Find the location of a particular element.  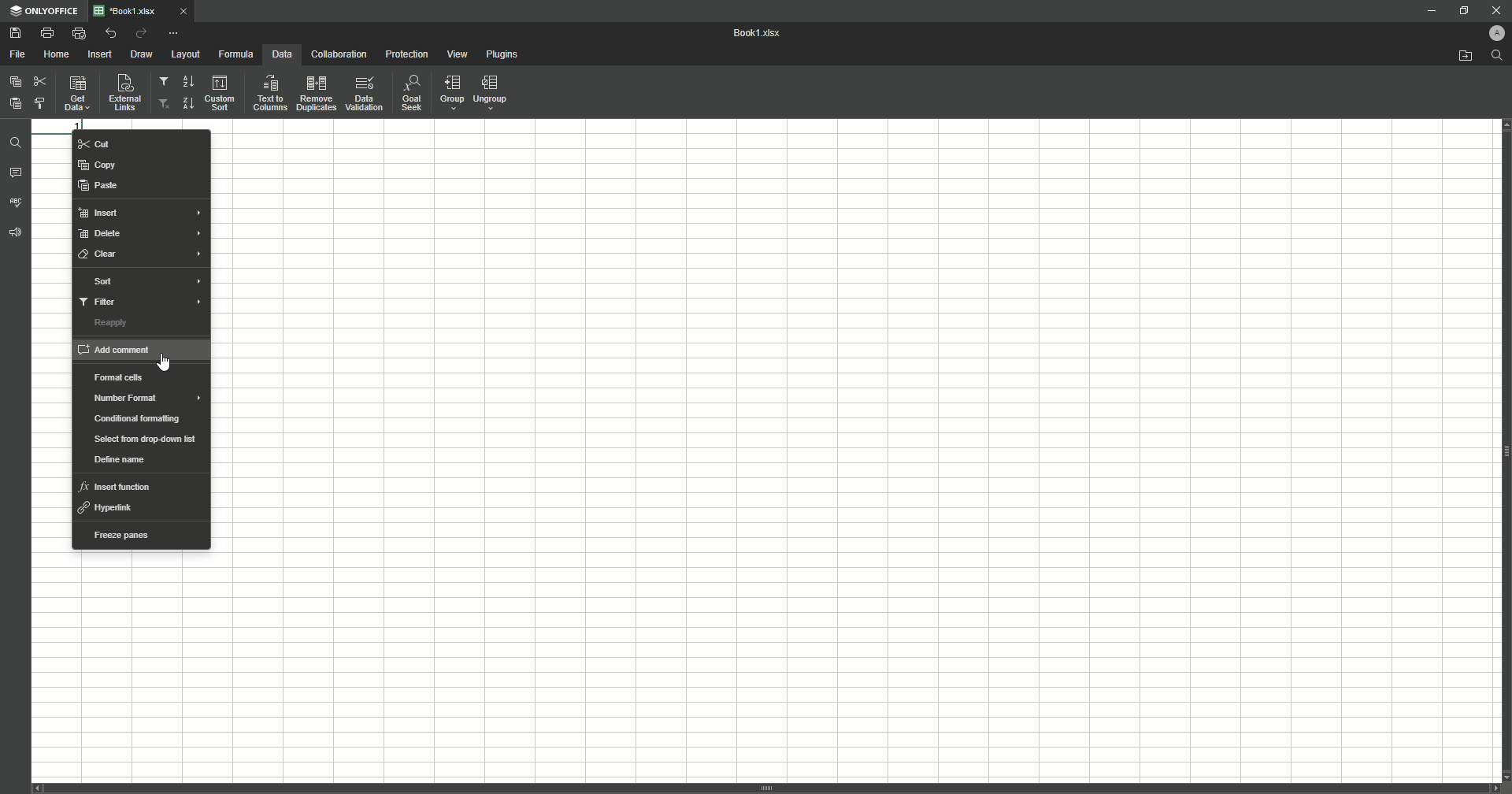

Sort Down is located at coordinates (188, 81).